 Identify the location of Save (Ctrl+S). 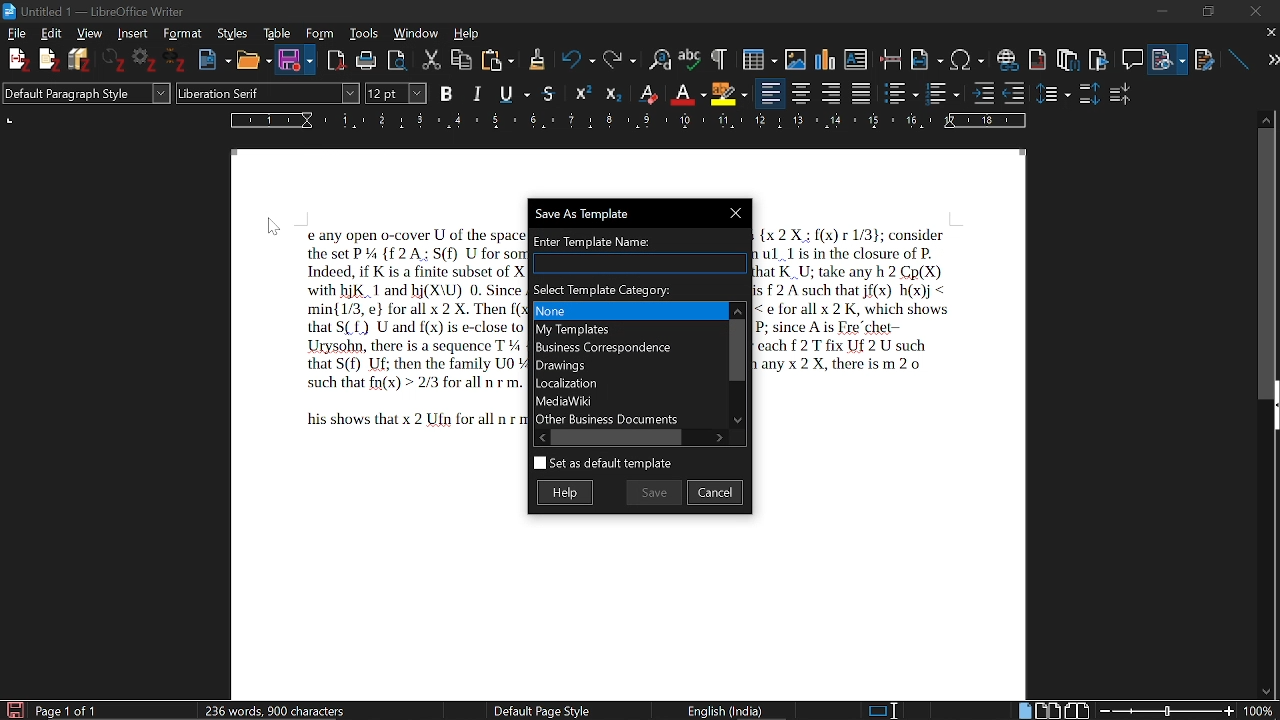
(386, 93).